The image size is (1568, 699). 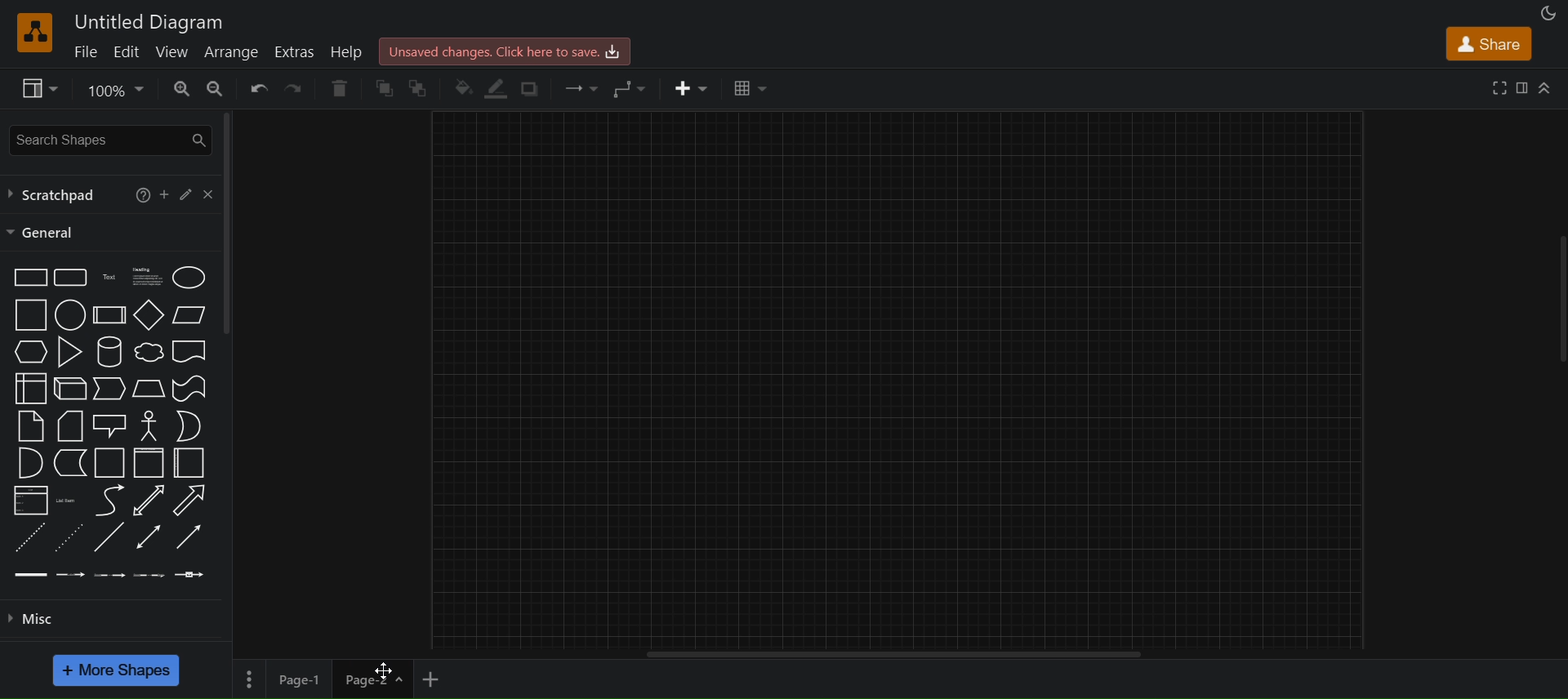 What do you see at coordinates (436, 679) in the screenshot?
I see `add new page` at bounding box center [436, 679].